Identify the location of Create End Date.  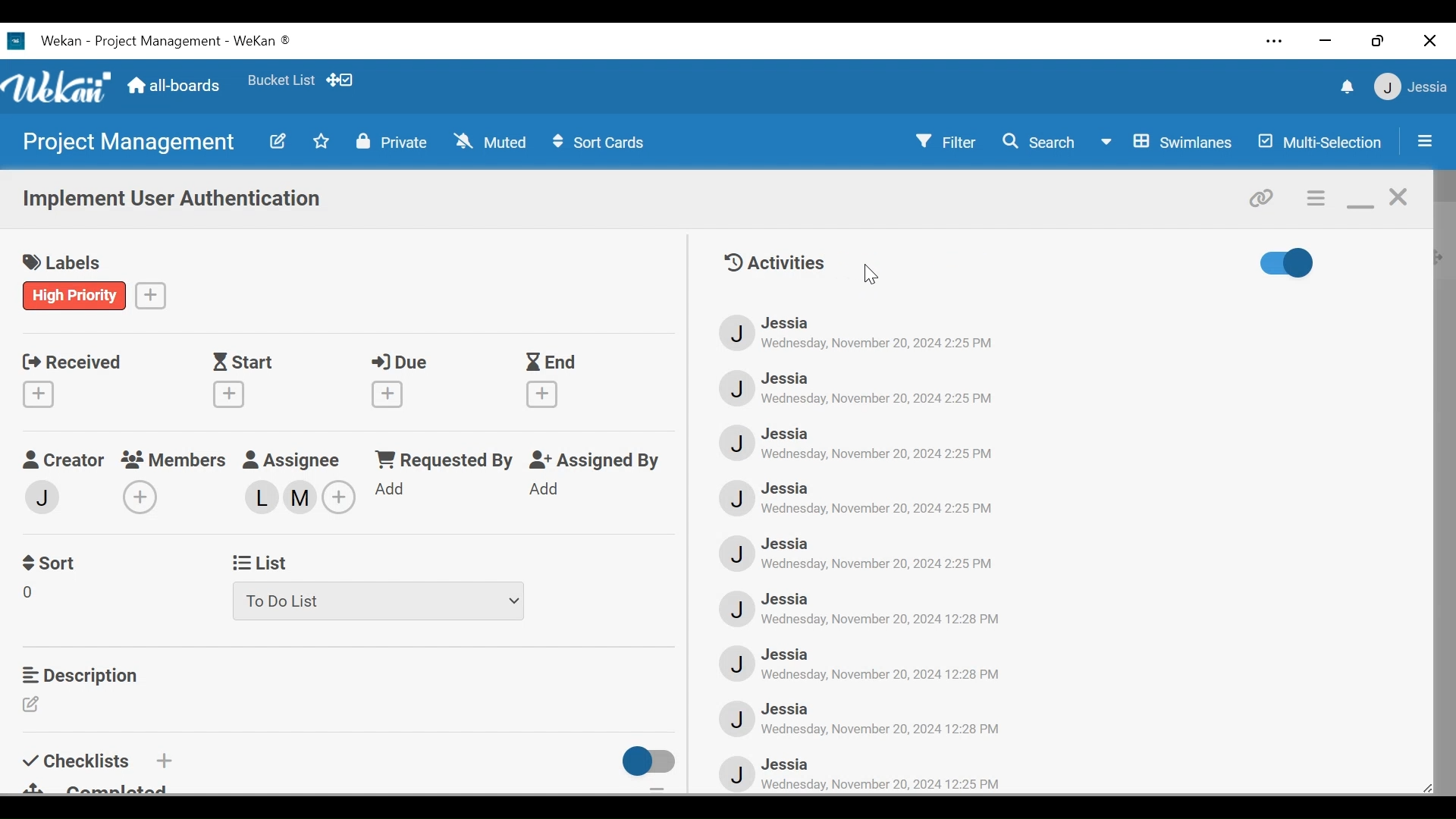
(542, 394).